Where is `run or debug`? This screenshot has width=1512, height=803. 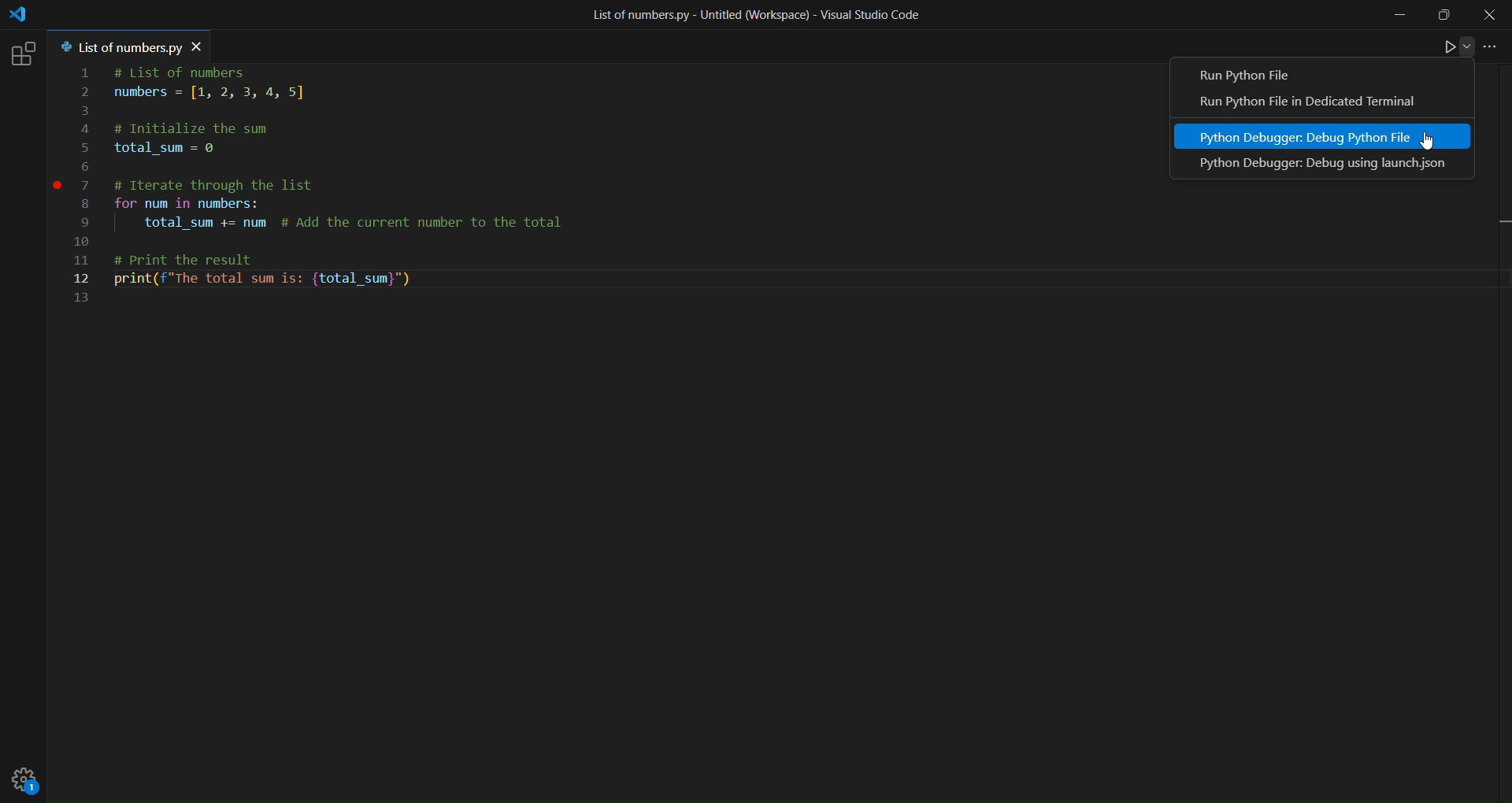
run or debug is located at coordinates (1450, 49).